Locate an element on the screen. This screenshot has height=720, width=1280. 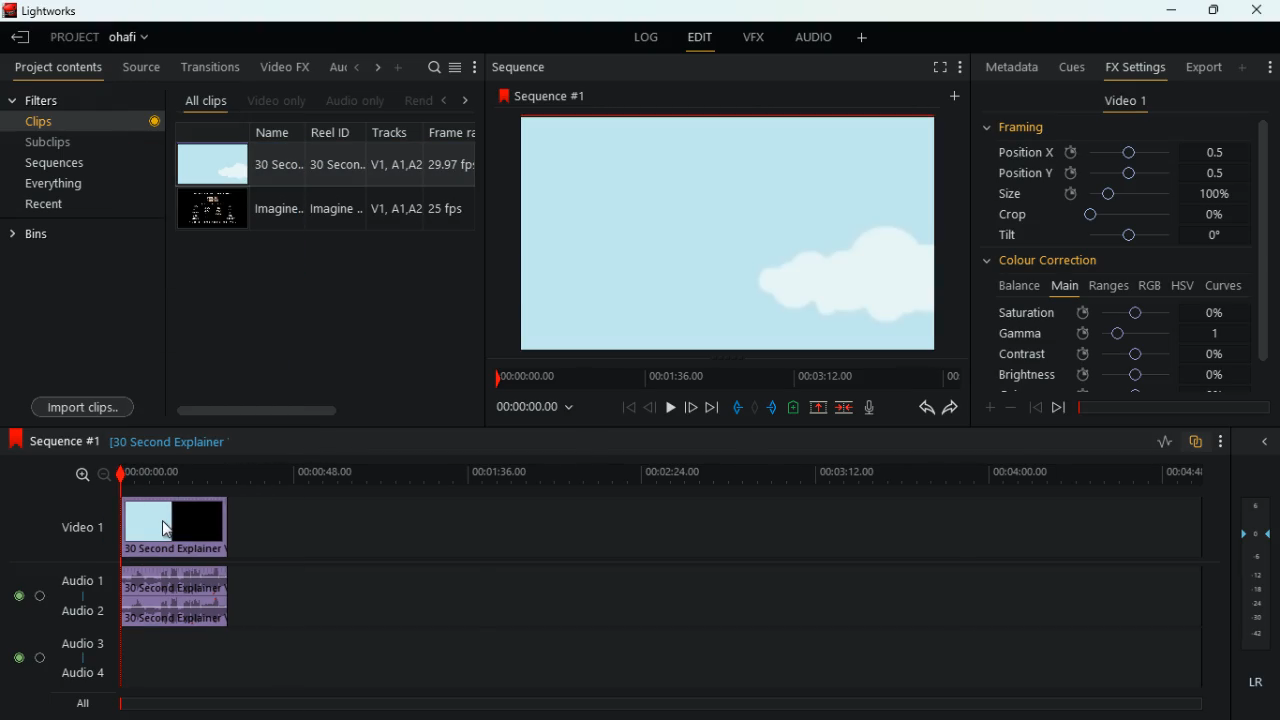
all clips is located at coordinates (202, 98).